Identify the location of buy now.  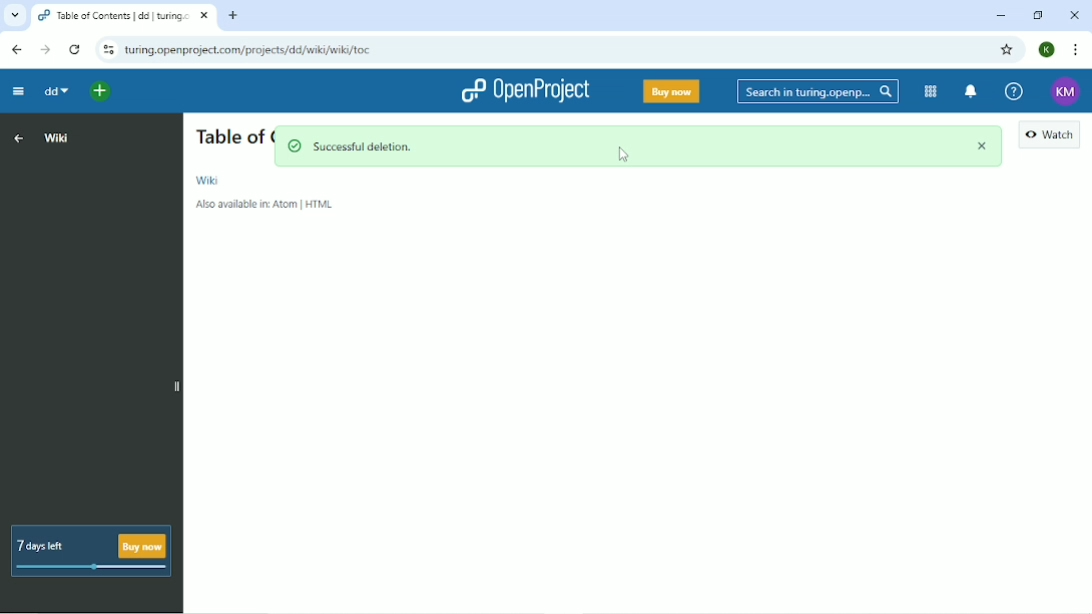
(141, 544).